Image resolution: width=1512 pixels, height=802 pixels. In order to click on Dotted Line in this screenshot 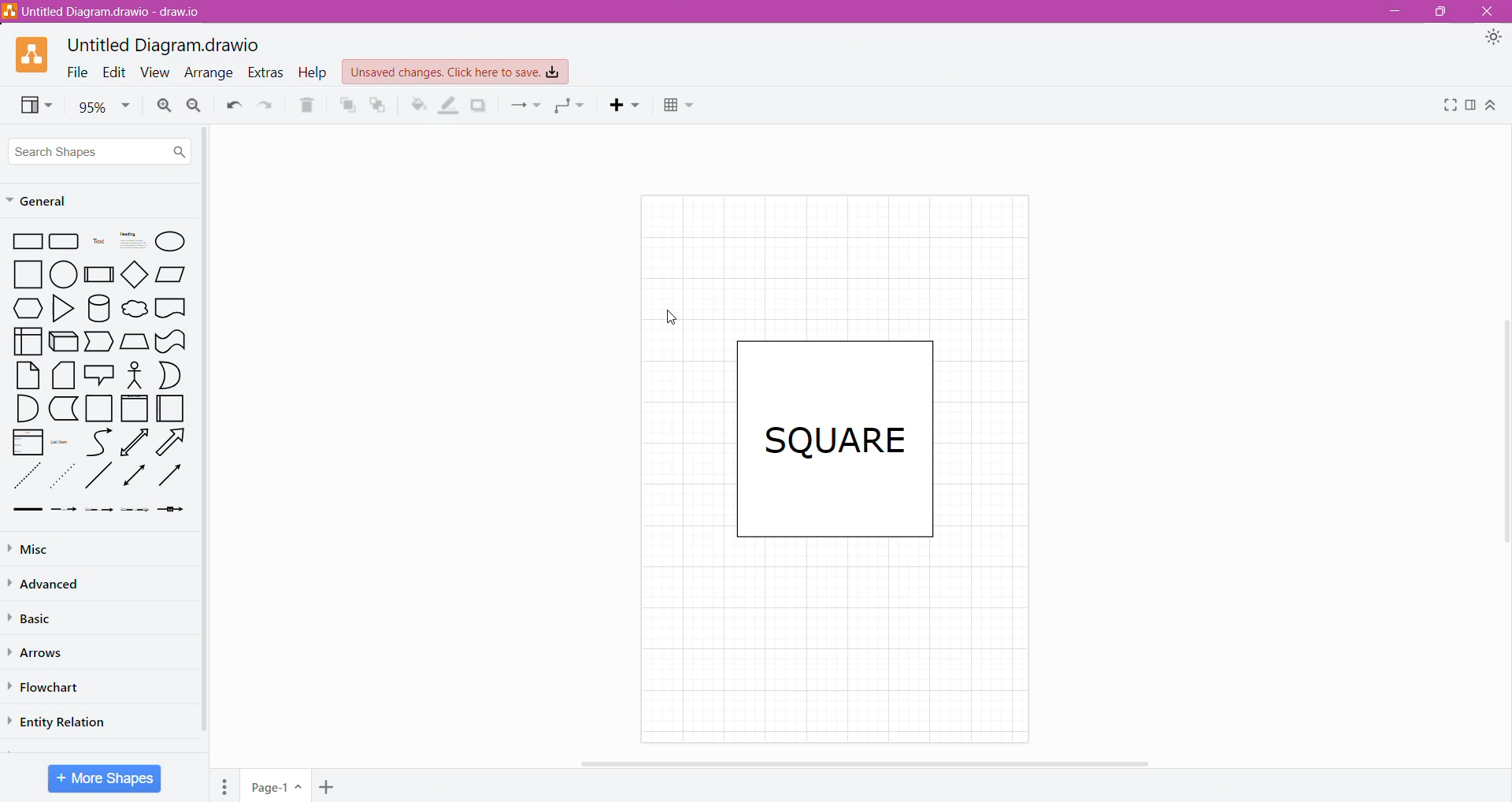, I will do `click(25, 477)`.